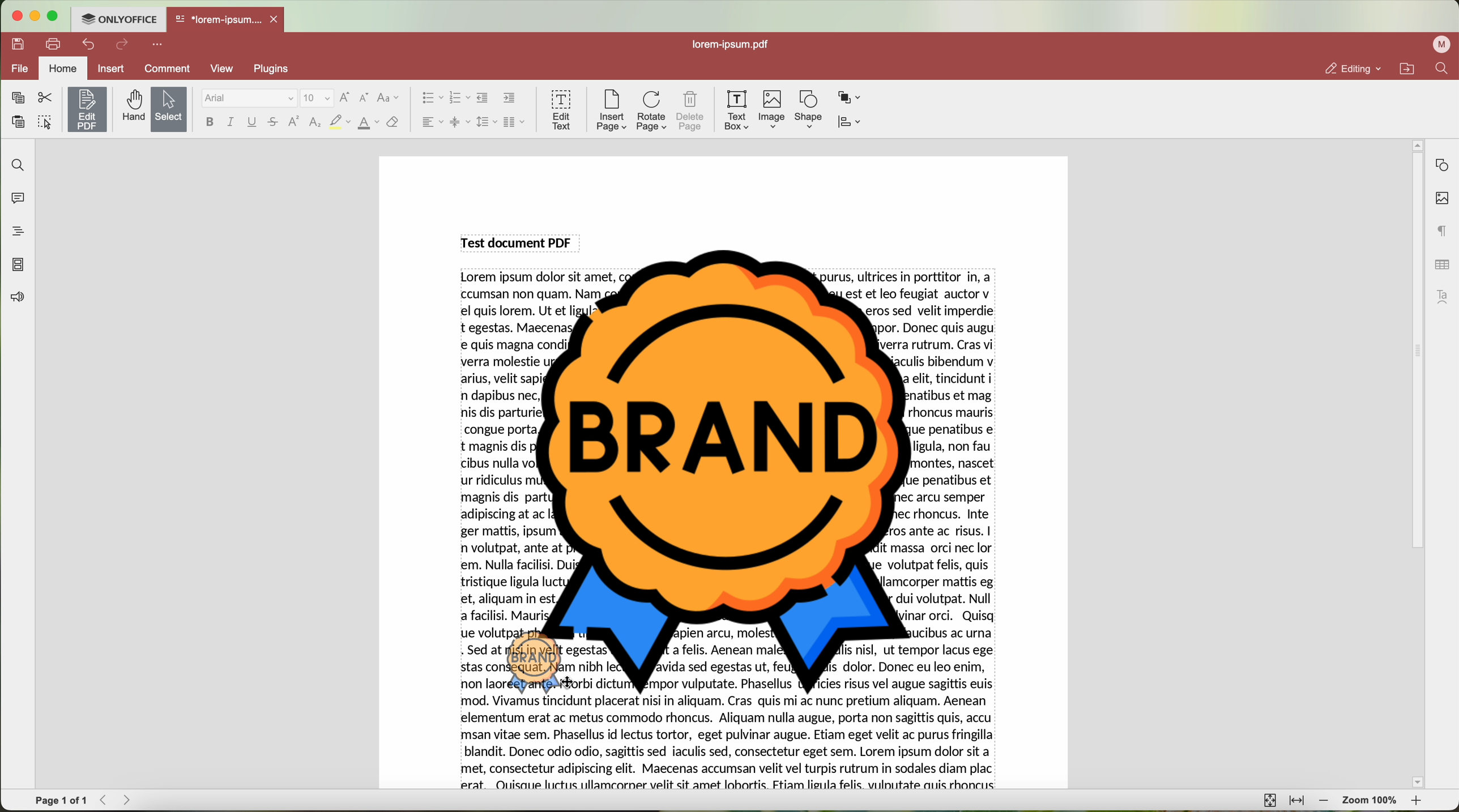 Image resolution: width=1459 pixels, height=812 pixels. Describe the element at coordinates (431, 122) in the screenshot. I see `horizontal align` at that location.